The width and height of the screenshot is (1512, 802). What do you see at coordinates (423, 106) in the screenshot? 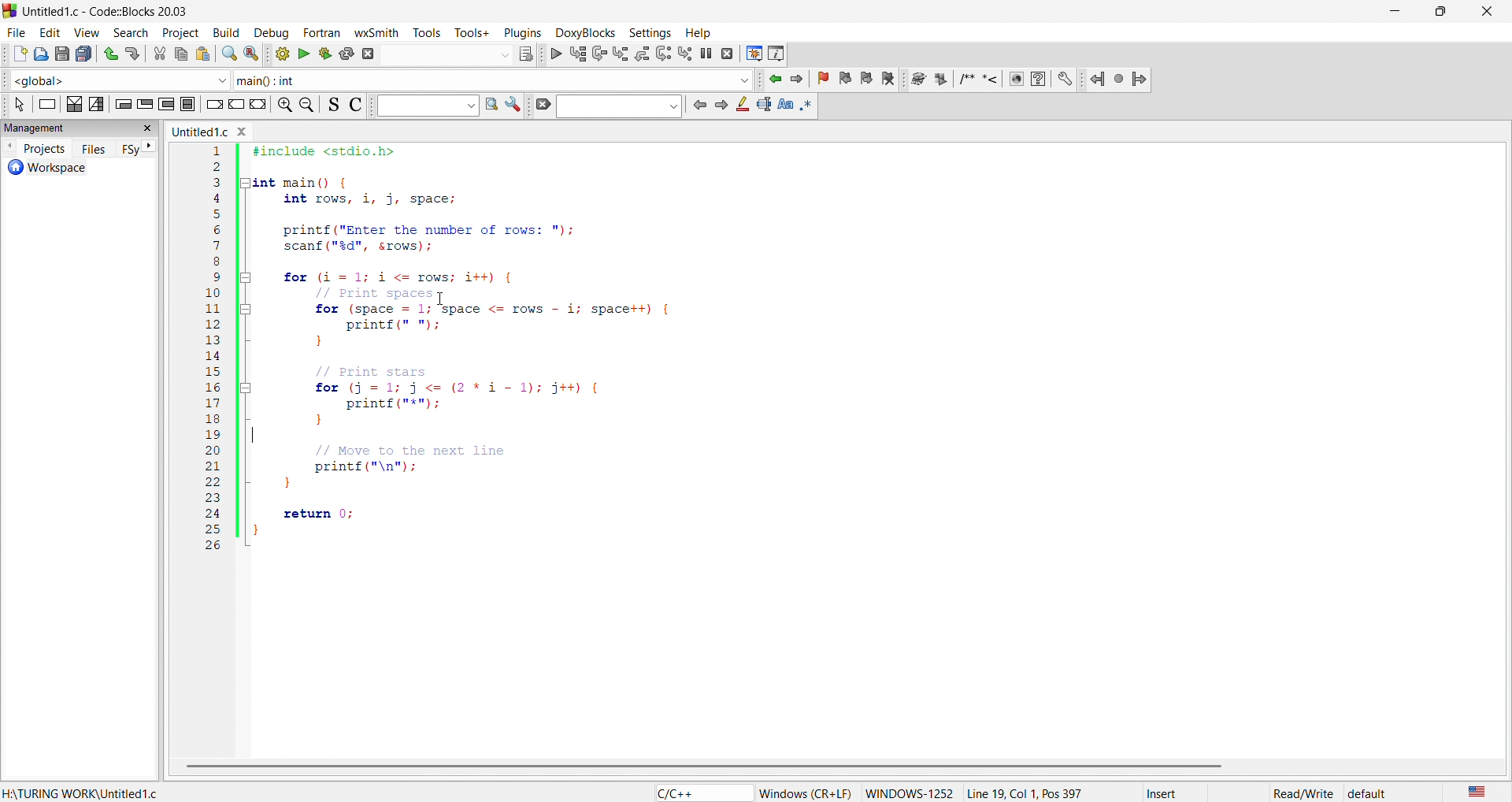
I see `search box` at bounding box center [423, 106].